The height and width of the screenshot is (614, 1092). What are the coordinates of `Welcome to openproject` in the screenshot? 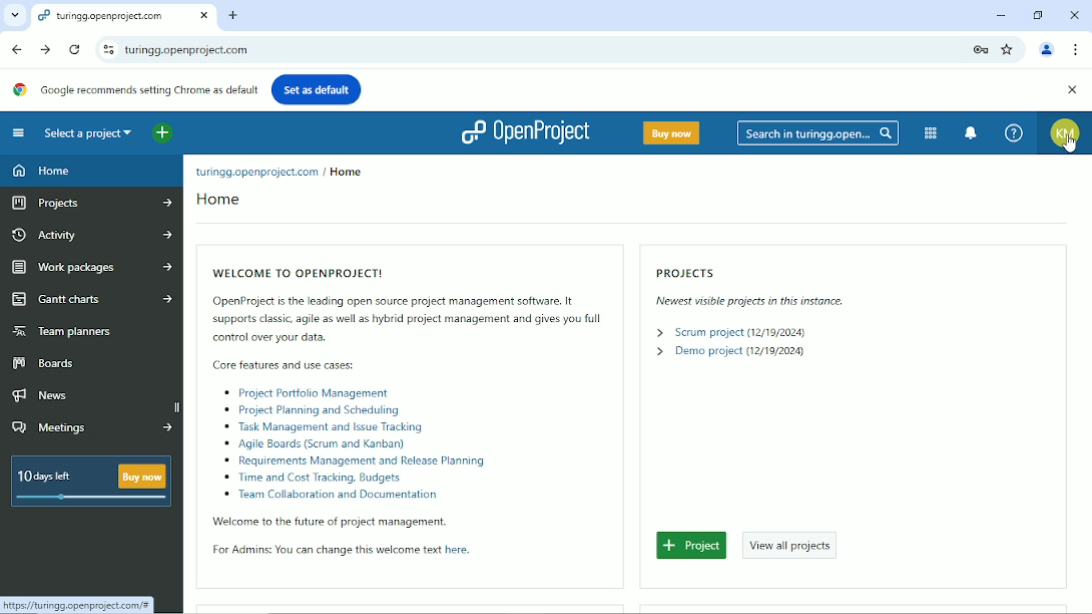 It's located at (315, 270).